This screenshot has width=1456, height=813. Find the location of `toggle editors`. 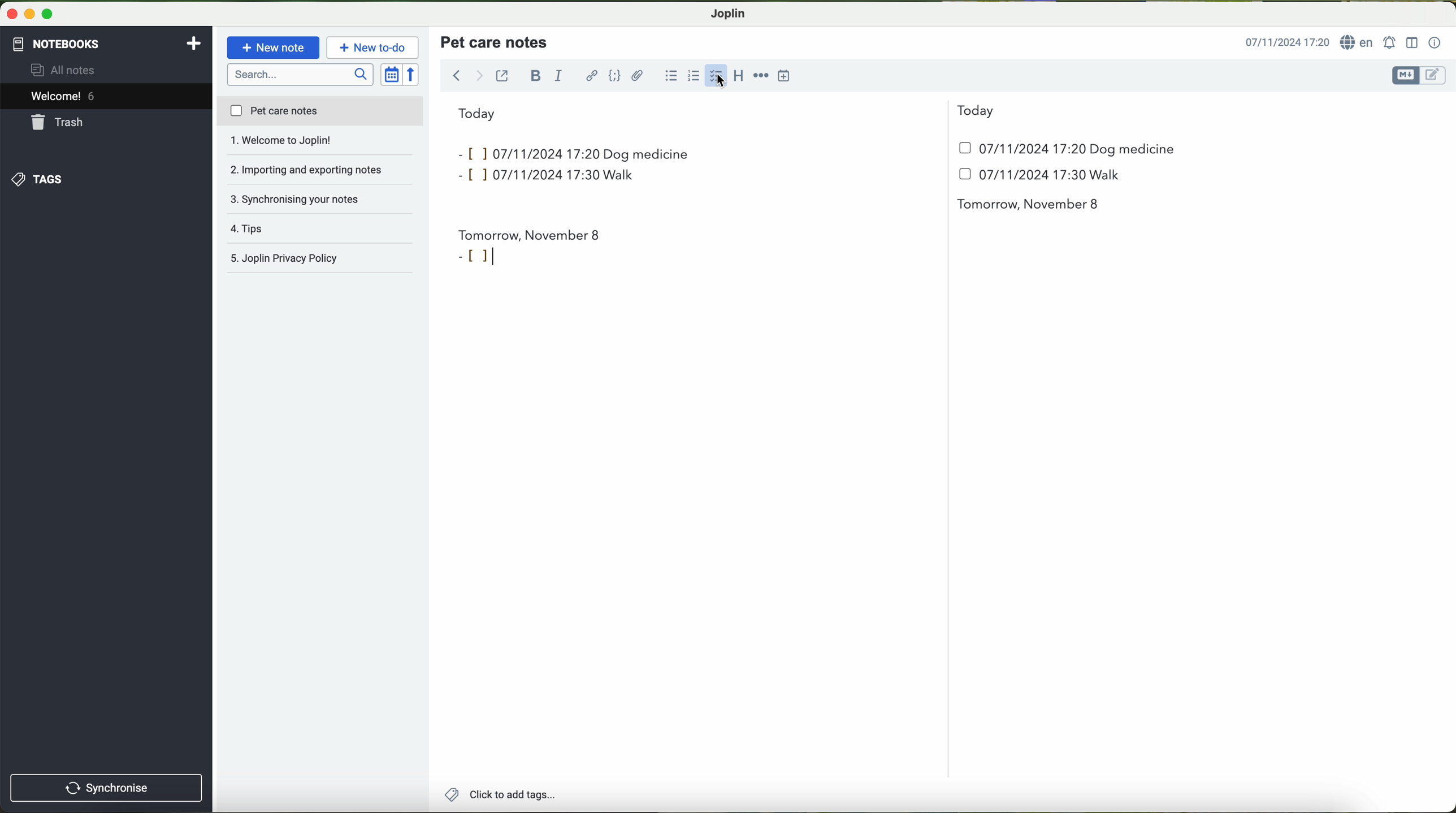

toggle editors is located at coordinates (1418, 76).